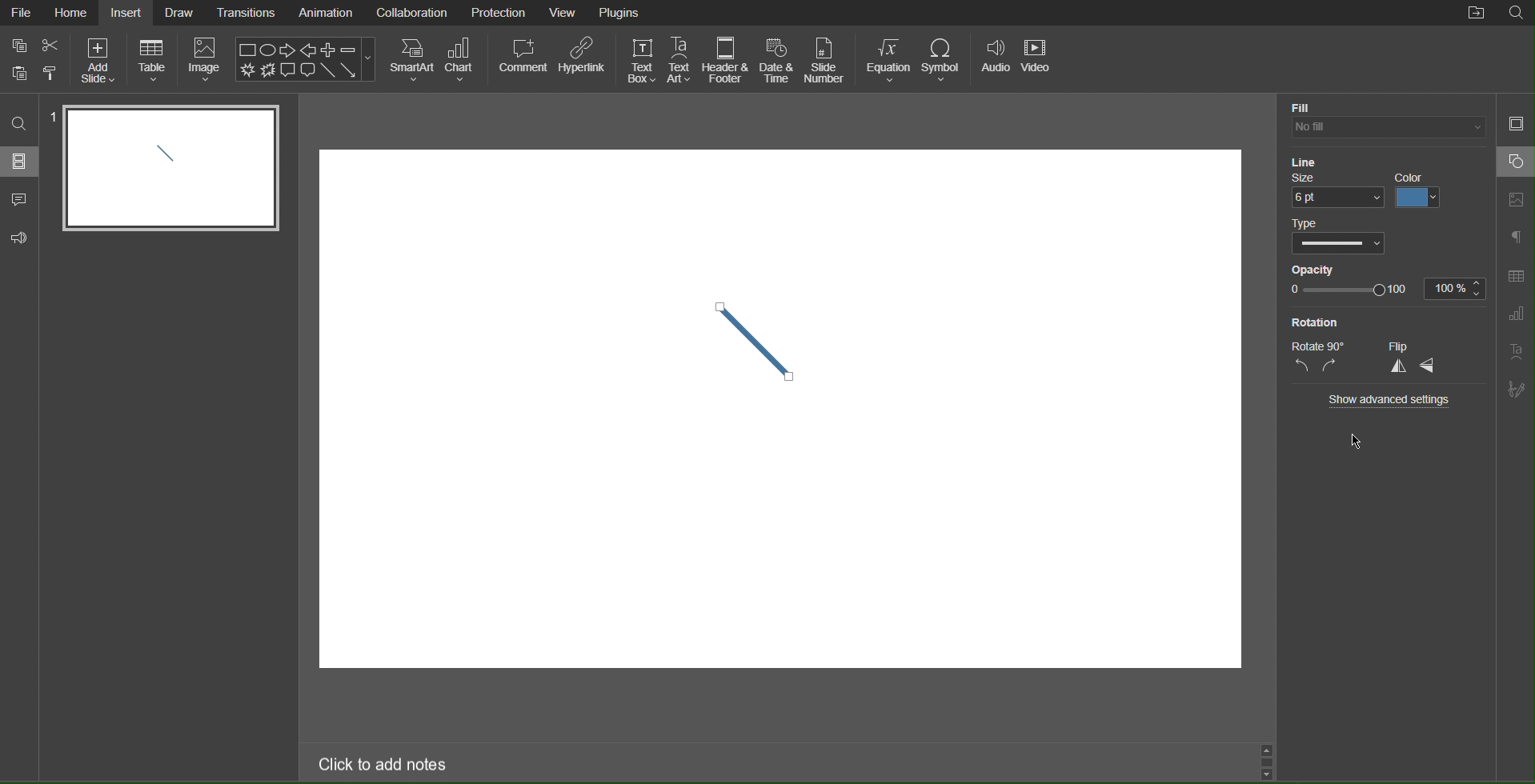  Describe the element at coordinates (248, 12) in the screenshot. I see `Transitions` at that location.